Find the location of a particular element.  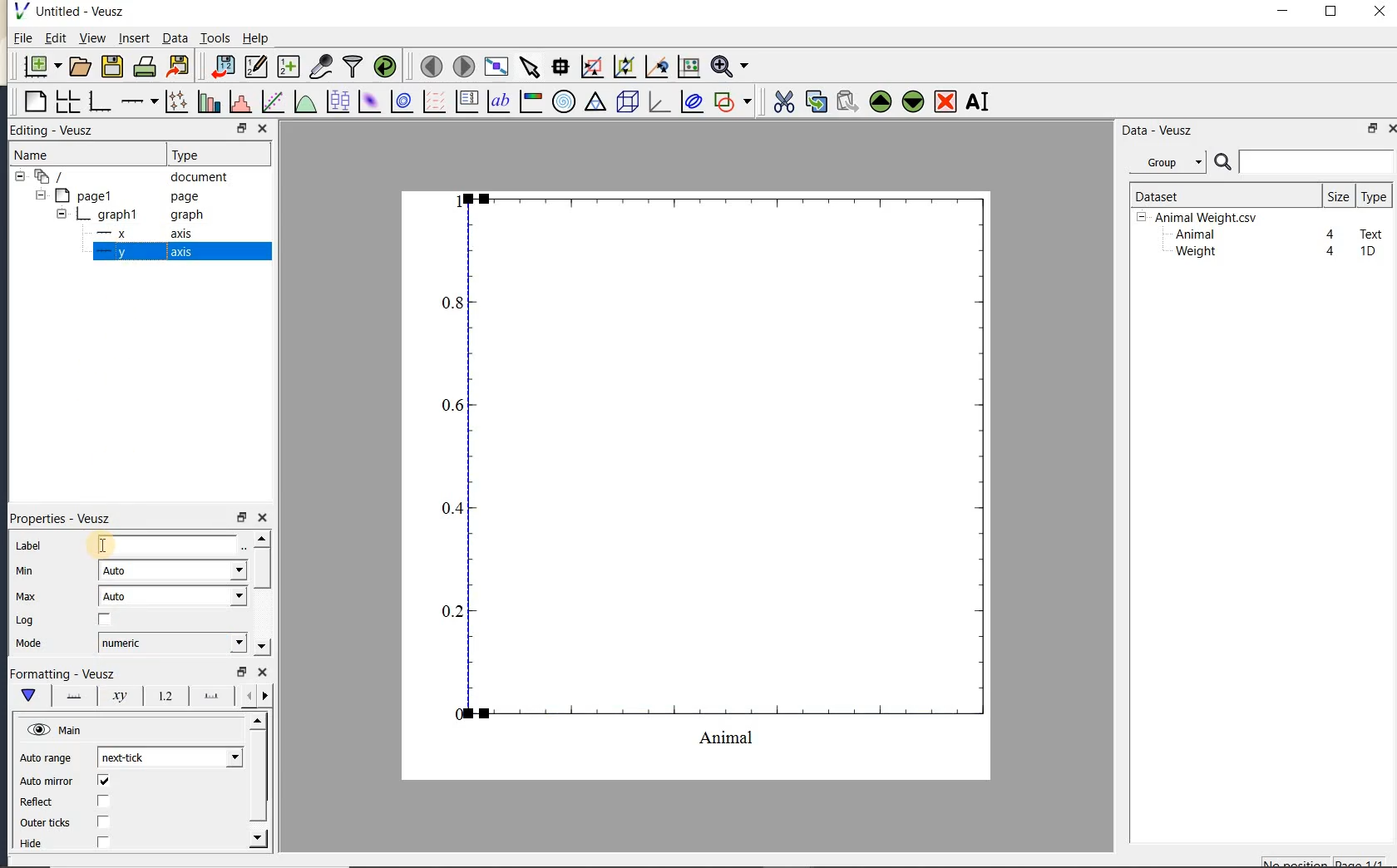

copy the selected widget is located at coordinates (814, 101).